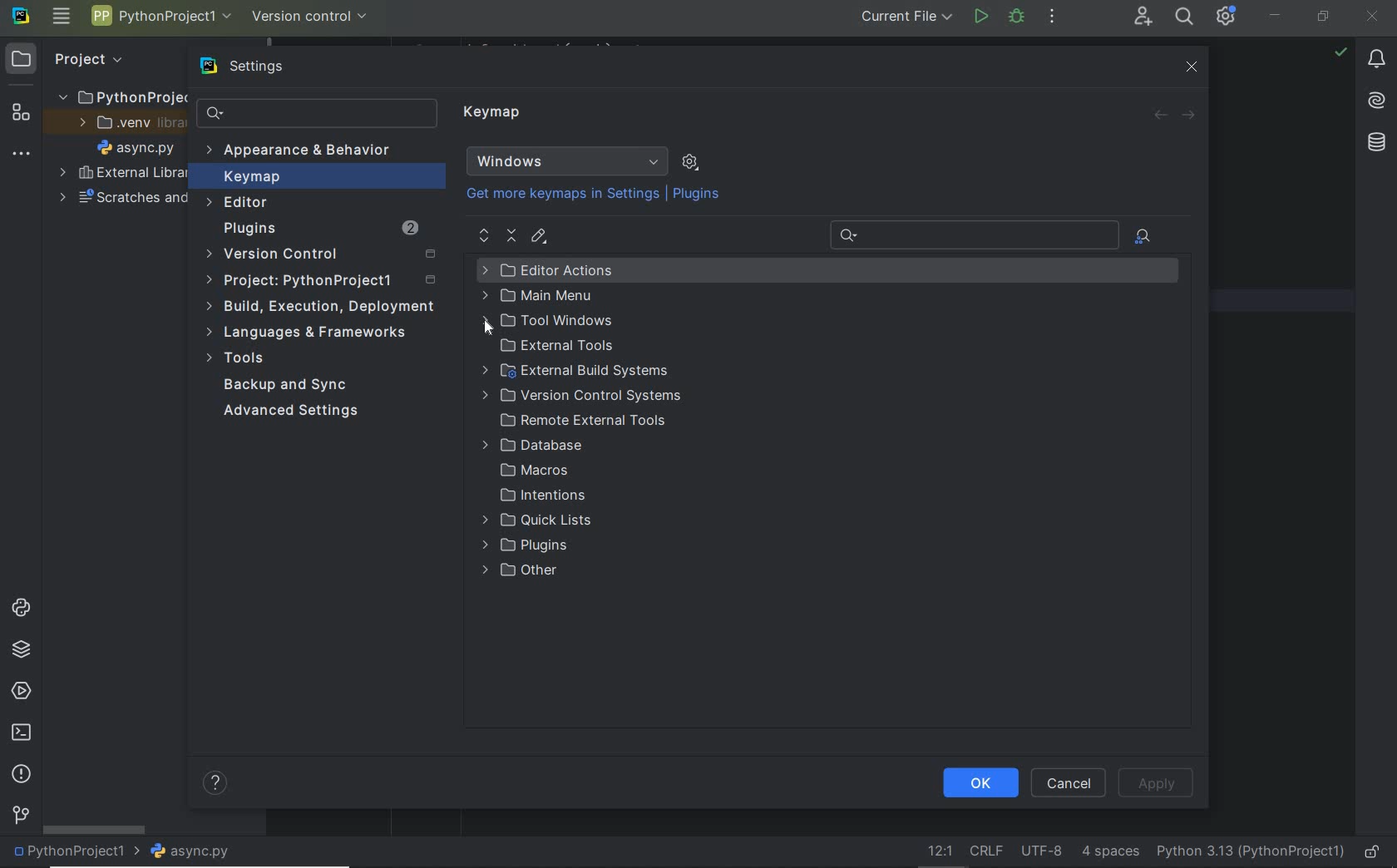  Describe the element at coordinates (1052, 17) in the screenshot. I see `more actions` at that location.